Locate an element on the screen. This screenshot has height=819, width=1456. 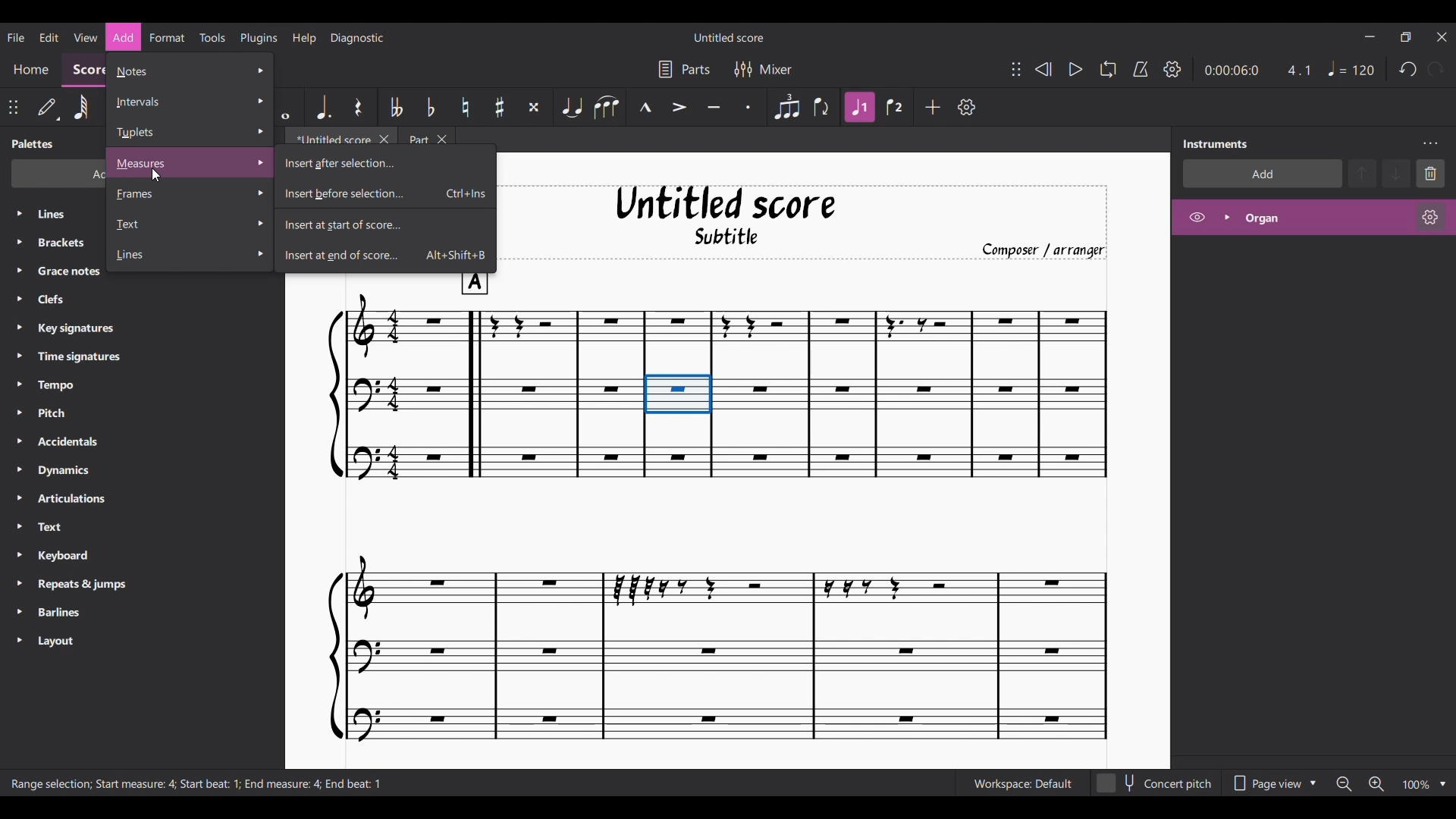
Text options is located at coordinates (190, 224).